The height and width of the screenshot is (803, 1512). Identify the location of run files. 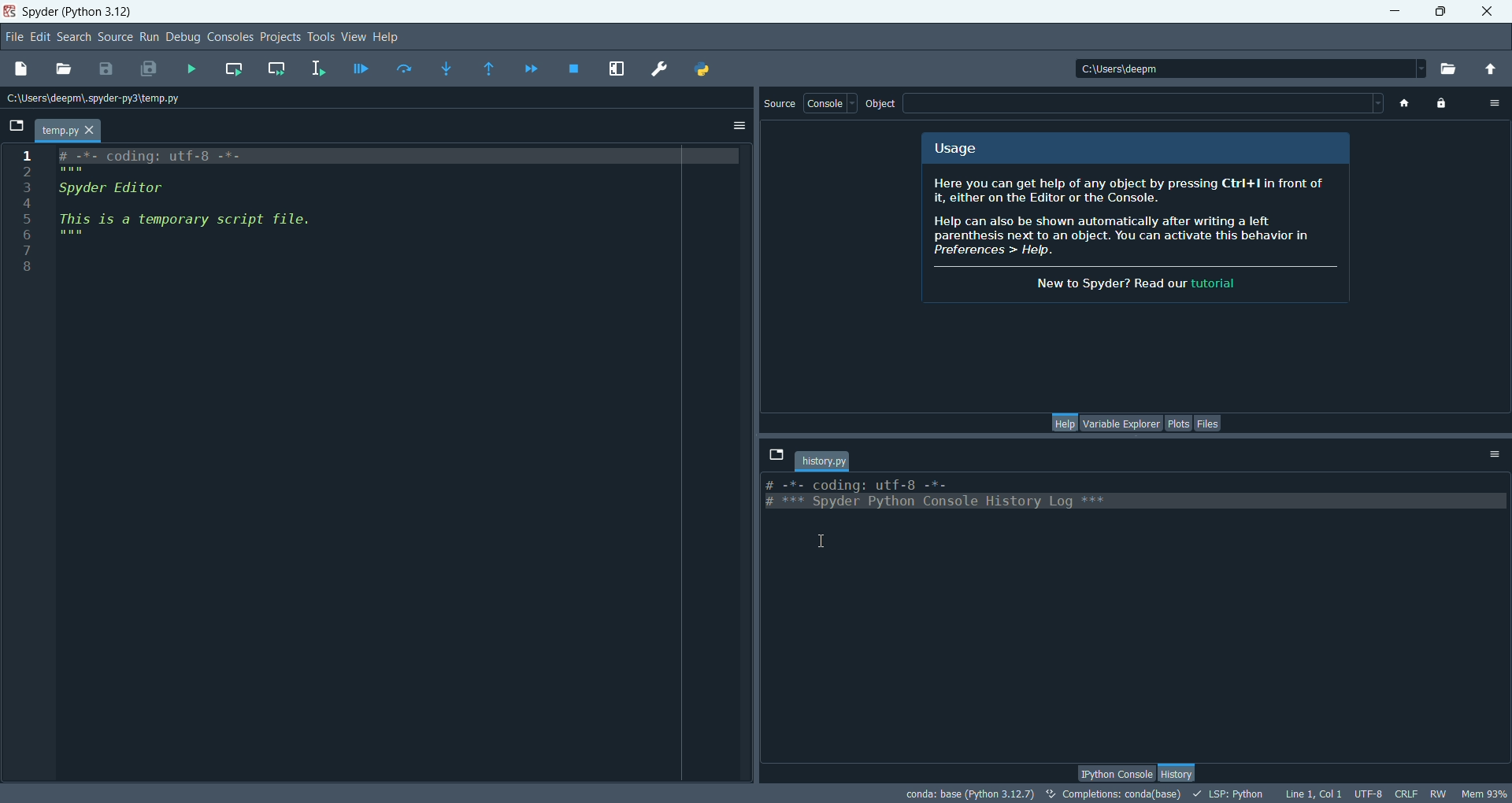
(193, 69).